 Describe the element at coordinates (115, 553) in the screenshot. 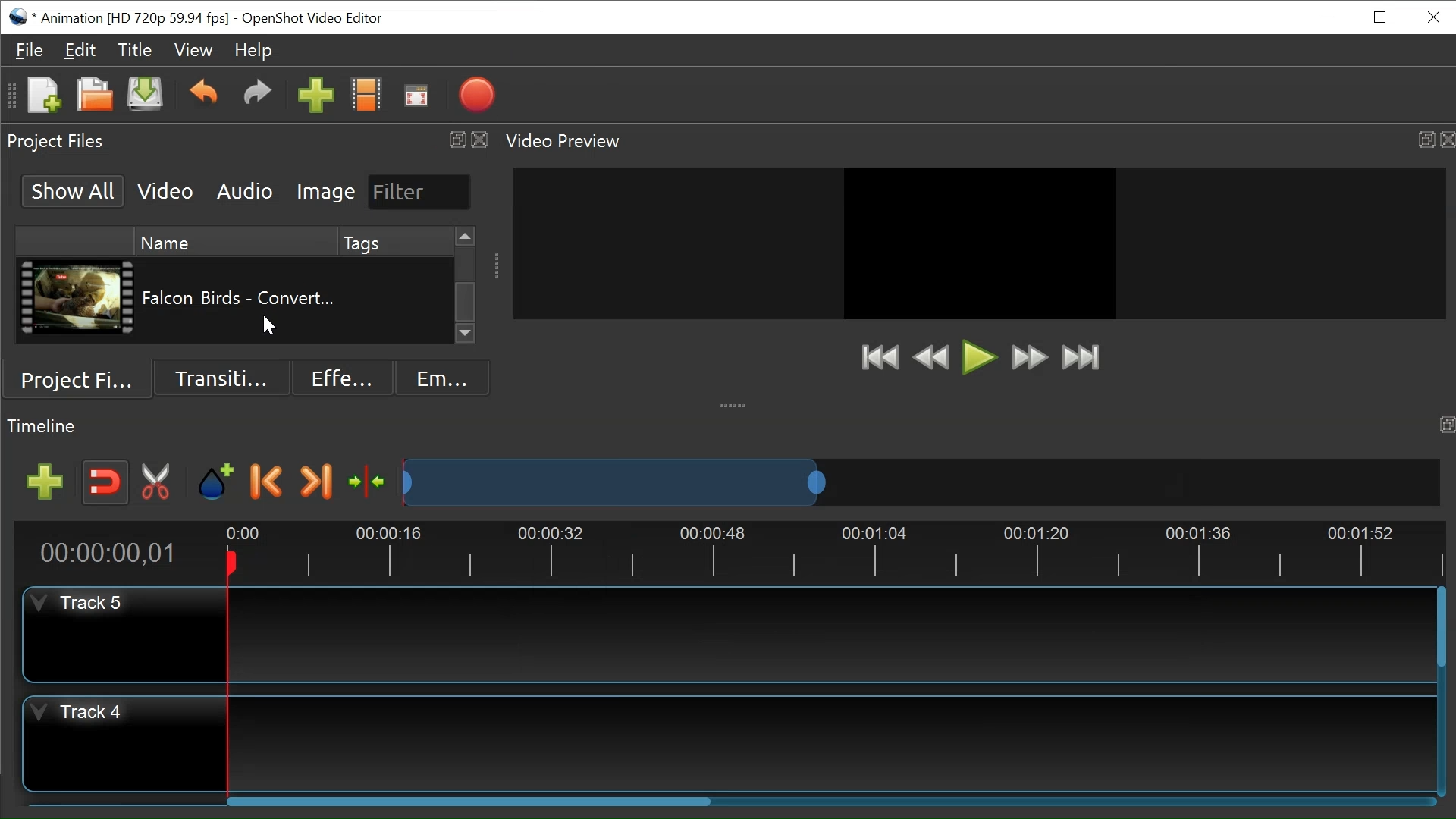

I see `Current Position` at that location.